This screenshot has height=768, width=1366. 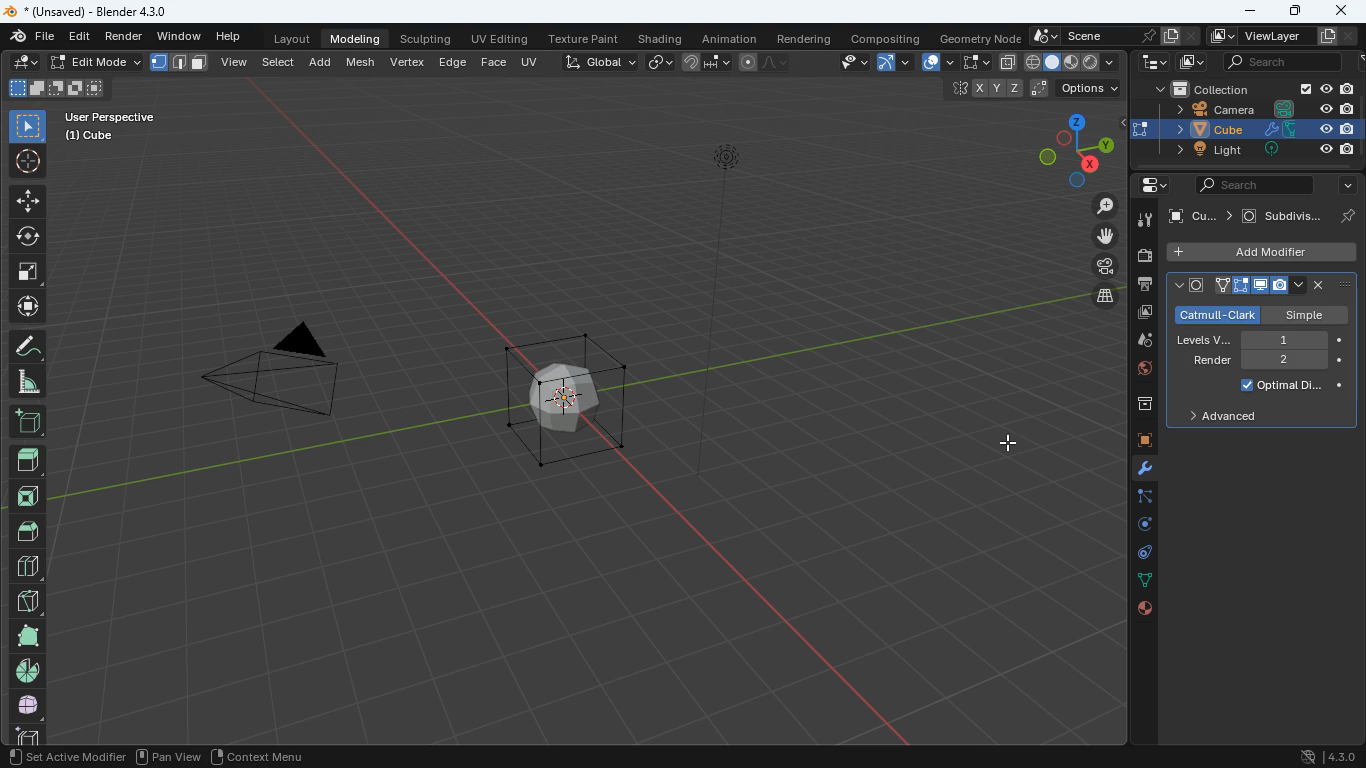 I want to click on user perspective, so click(x=108, y=126).